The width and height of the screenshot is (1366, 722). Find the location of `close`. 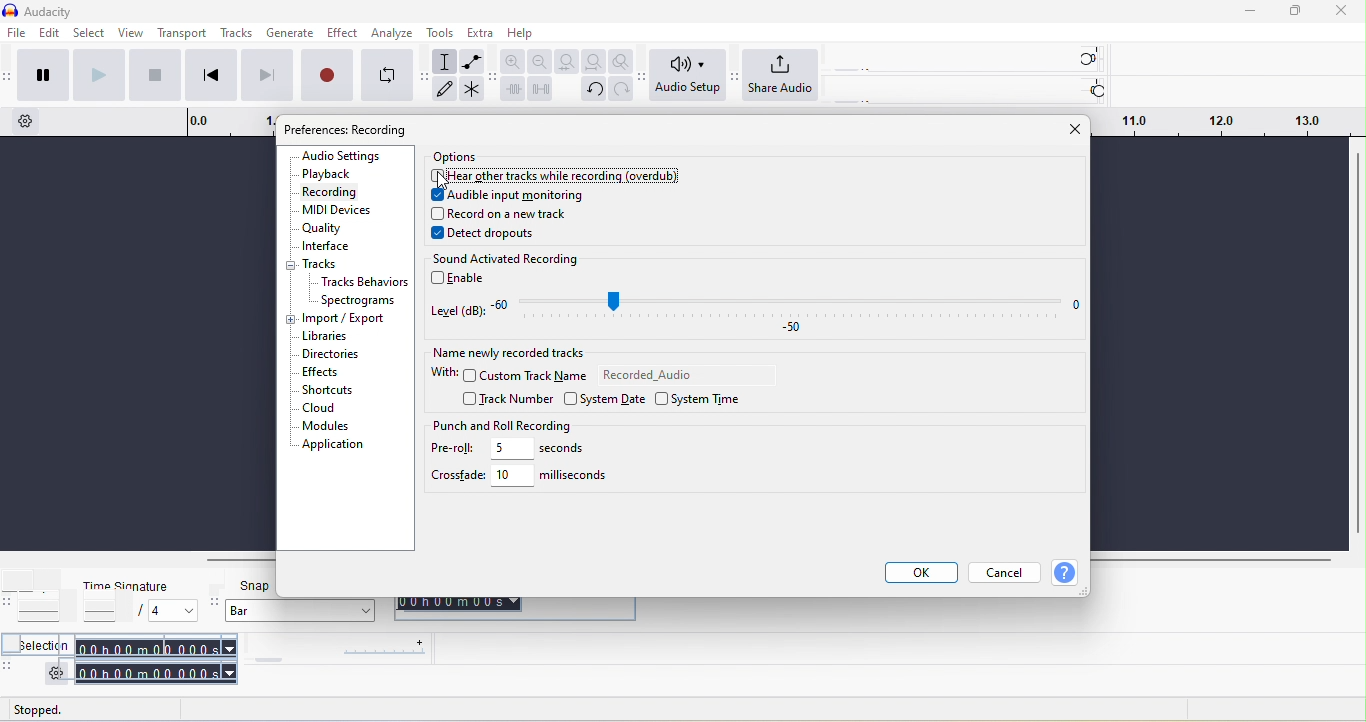

close is located at coordinates (1070, 129).